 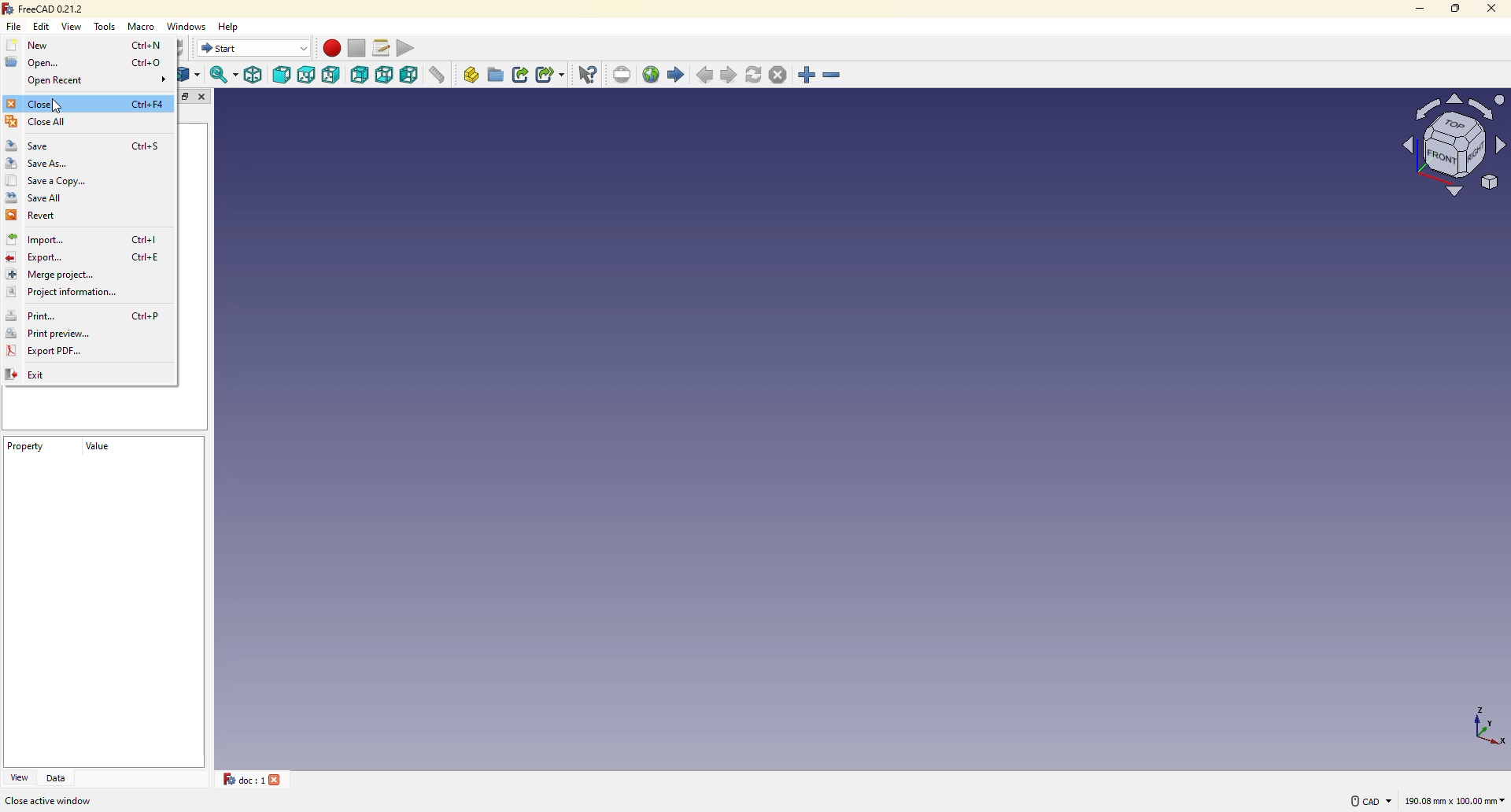 What do you see at coordinates (238, 779) in the screenshot?
I see `doc 1` at bounding box center [238, 779].